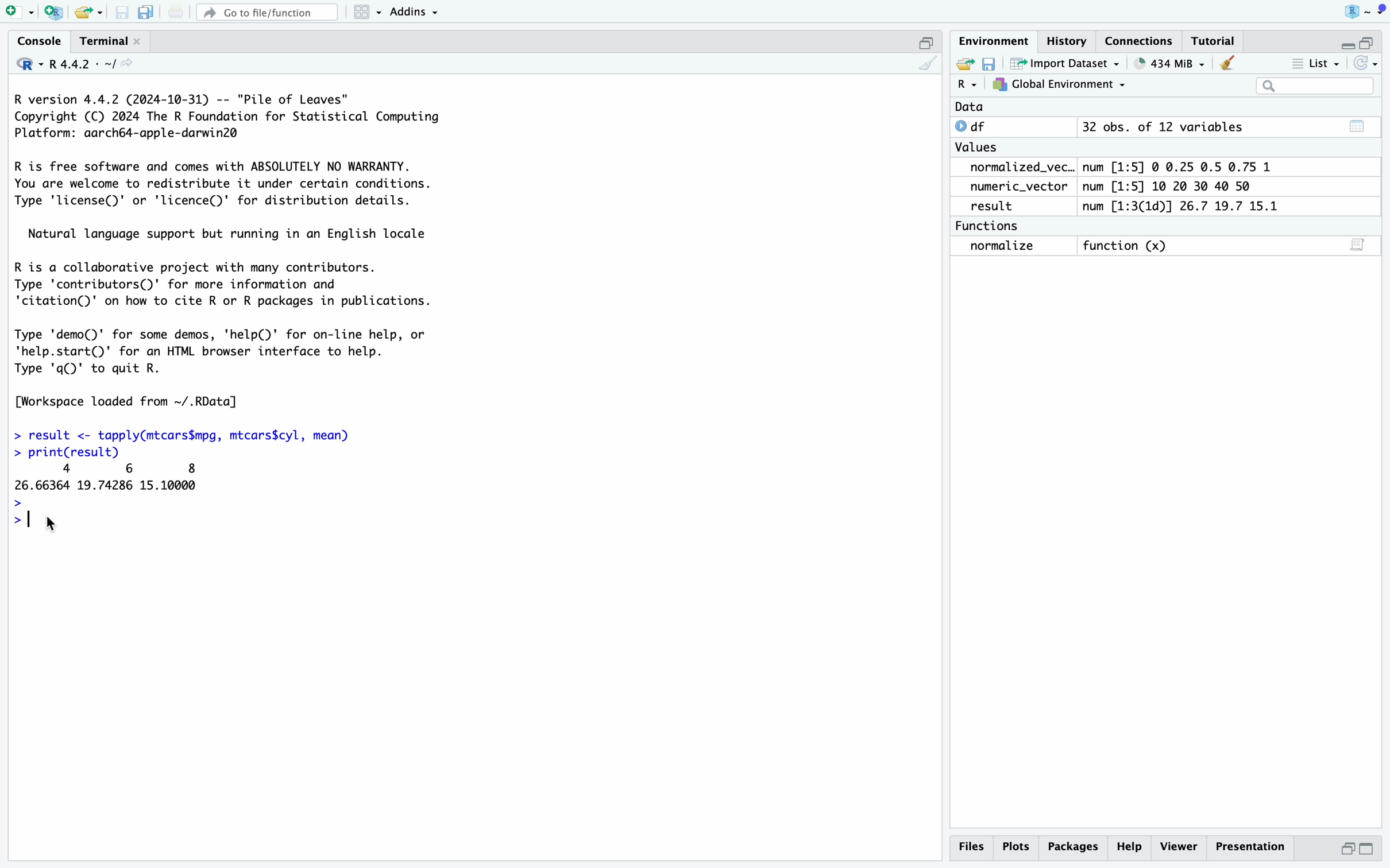 Image resolution: width=1390 pixels, height=868 pixels. I want to click on Calender, so click(1358, 126).